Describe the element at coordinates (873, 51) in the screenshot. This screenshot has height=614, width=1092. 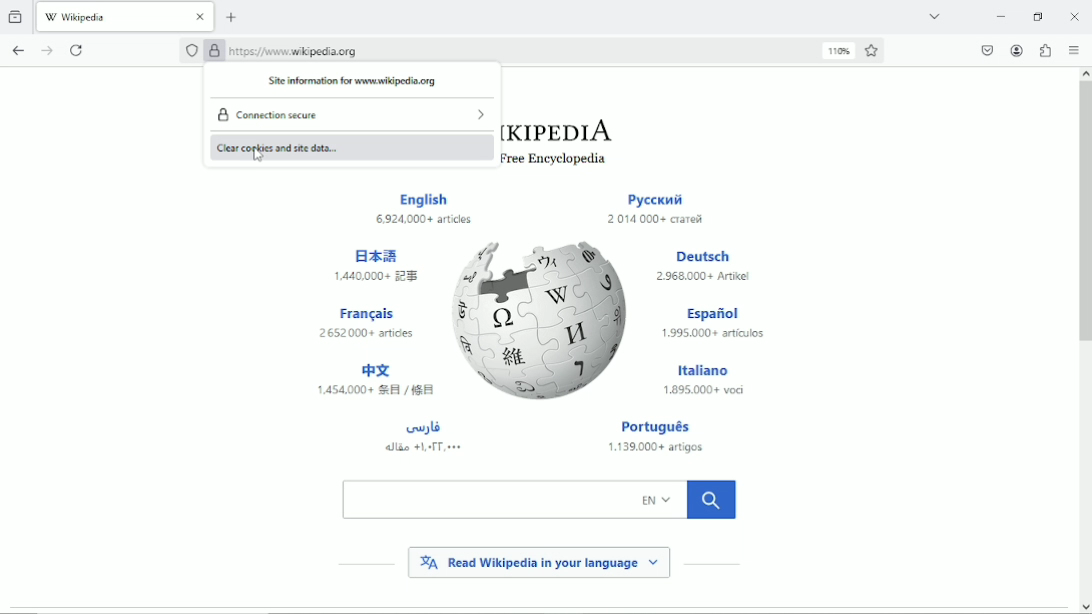
I see `bookmark this page` at that location.